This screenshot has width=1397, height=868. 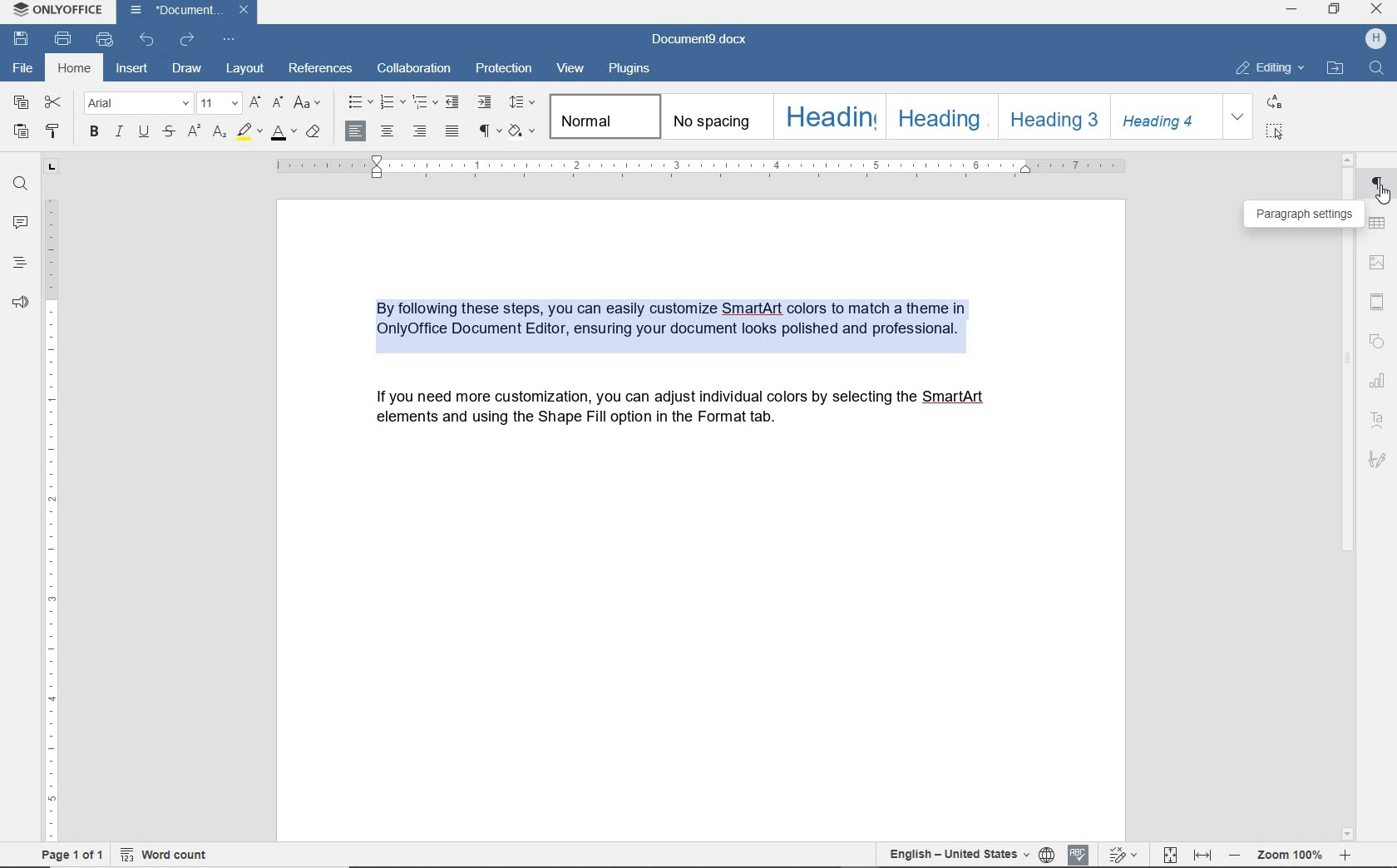 I want to click on chart, so click(x=1379, y=379).